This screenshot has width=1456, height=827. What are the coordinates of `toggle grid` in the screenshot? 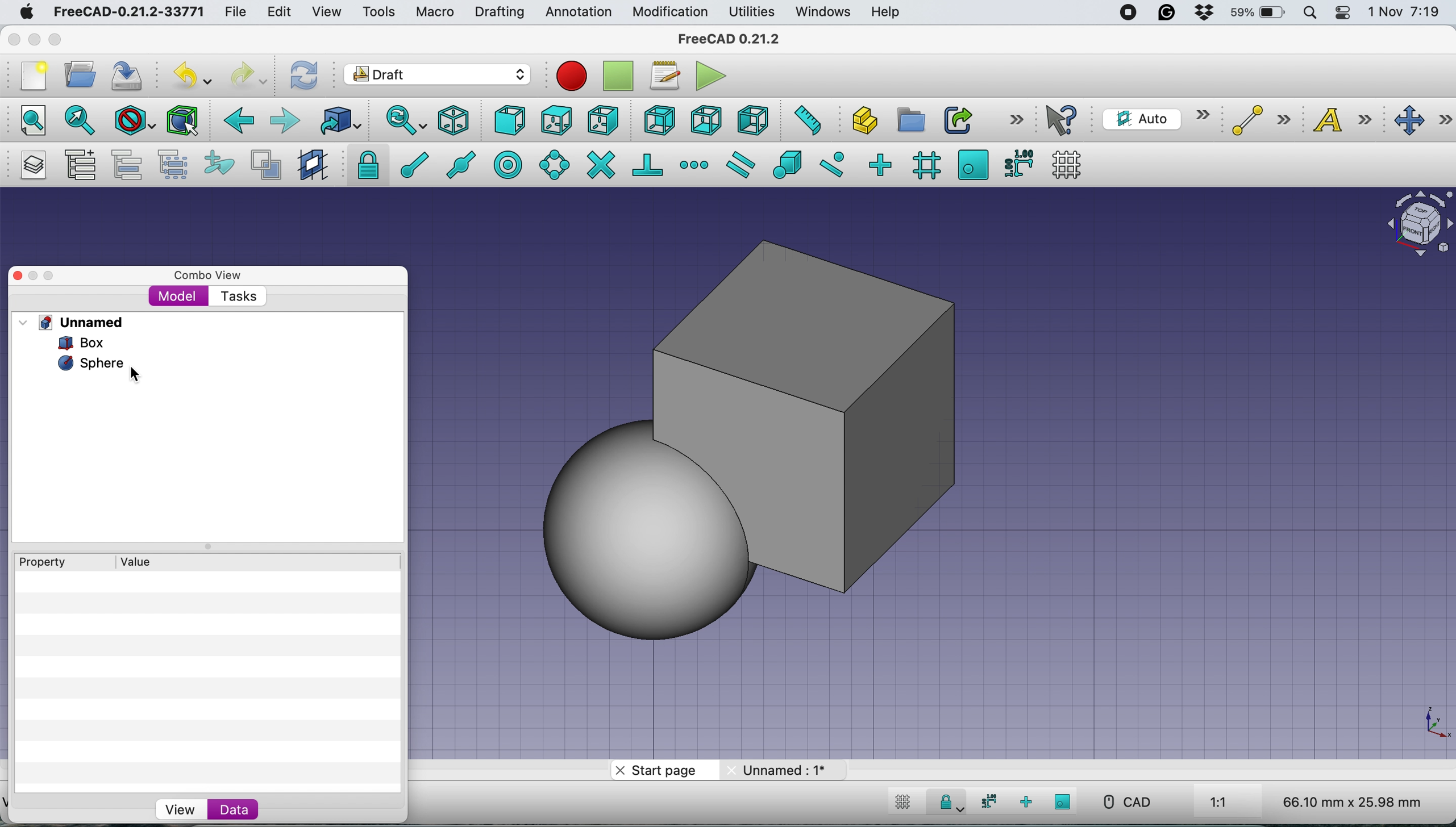 It's located at (1067, 165).